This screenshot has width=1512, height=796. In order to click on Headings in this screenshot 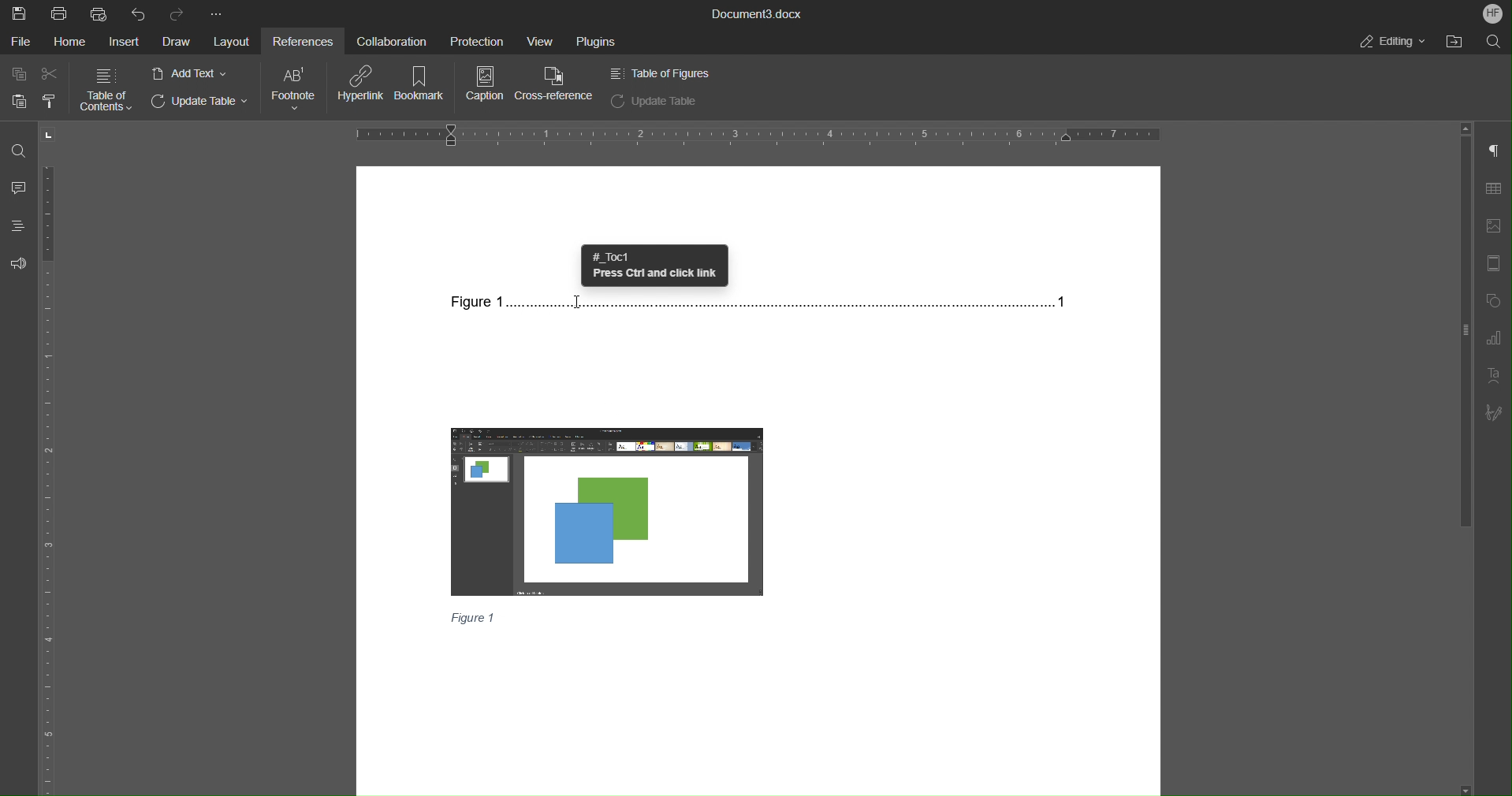, I will do `click(16, 225)`.